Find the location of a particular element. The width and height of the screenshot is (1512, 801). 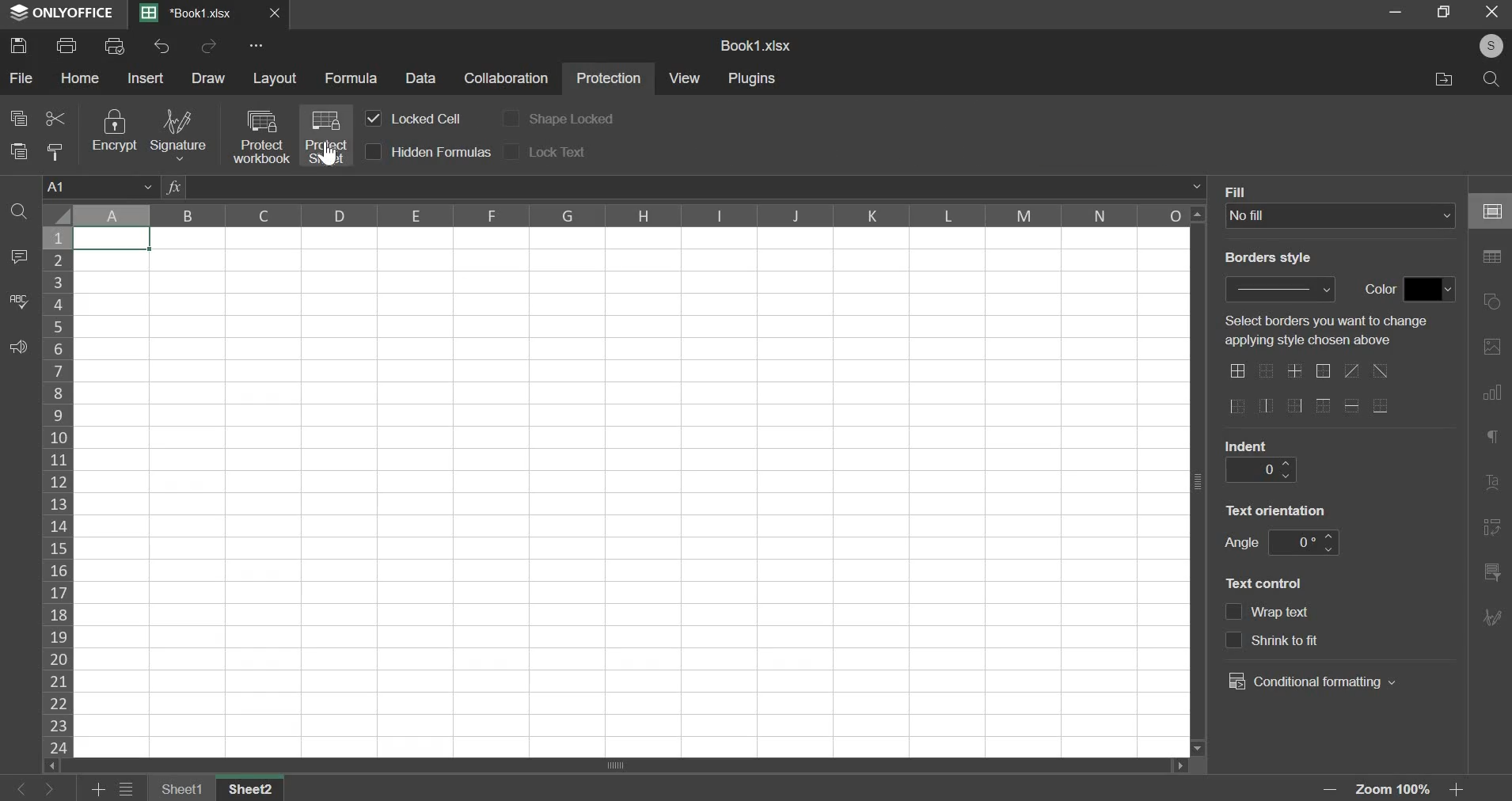

view is located at coordinates (686, 78).